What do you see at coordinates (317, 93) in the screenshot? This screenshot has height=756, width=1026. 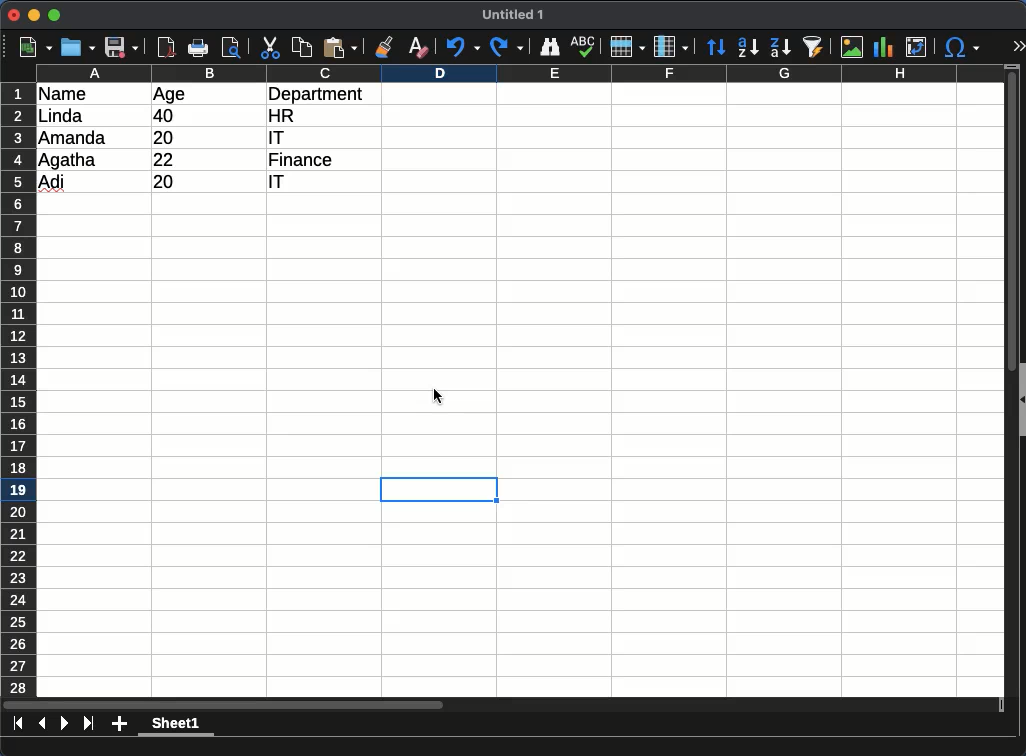 I see `department ` at bounding box center [317, 93].